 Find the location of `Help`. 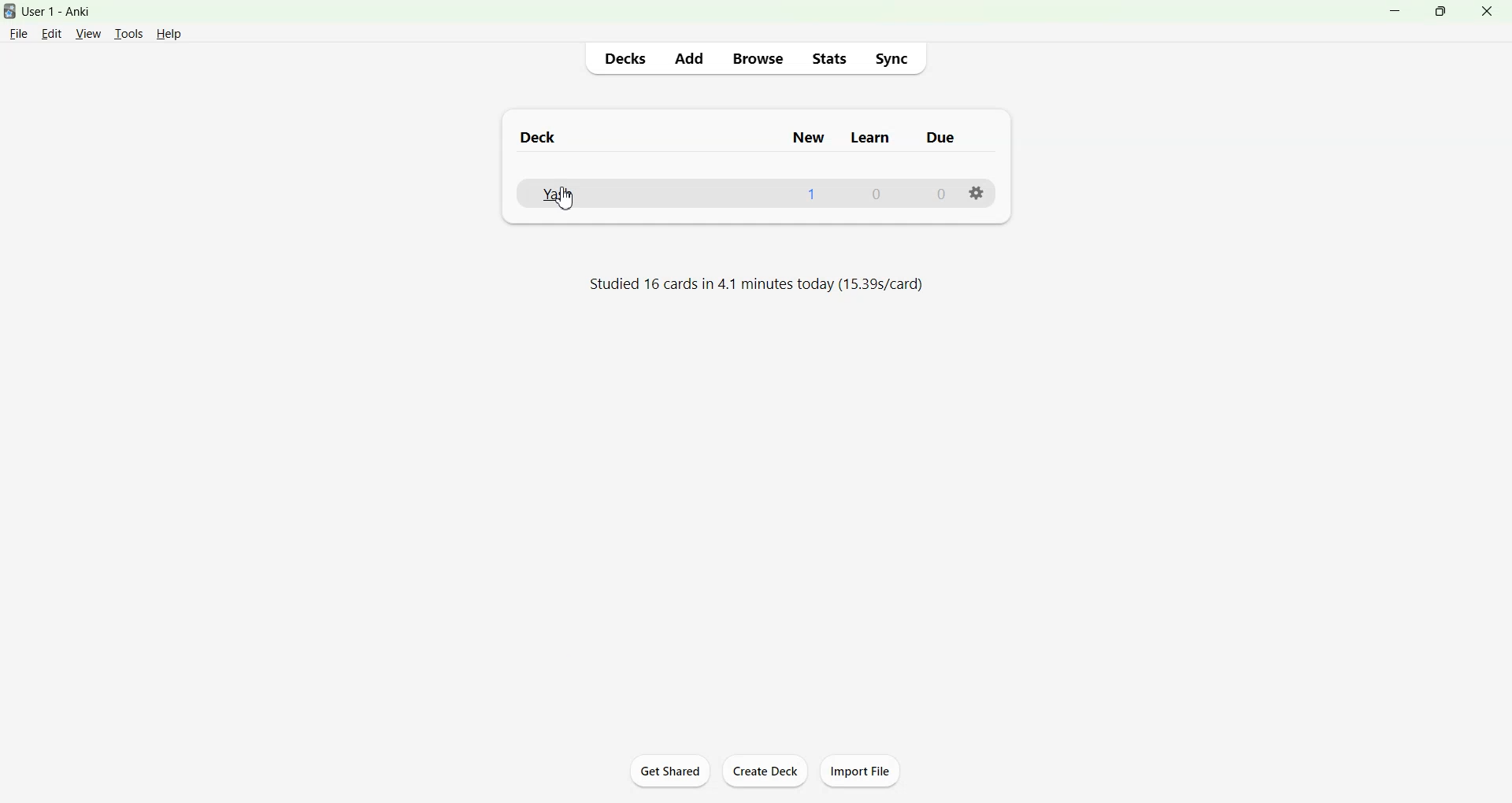

Help is located at coordinates (169, 34).